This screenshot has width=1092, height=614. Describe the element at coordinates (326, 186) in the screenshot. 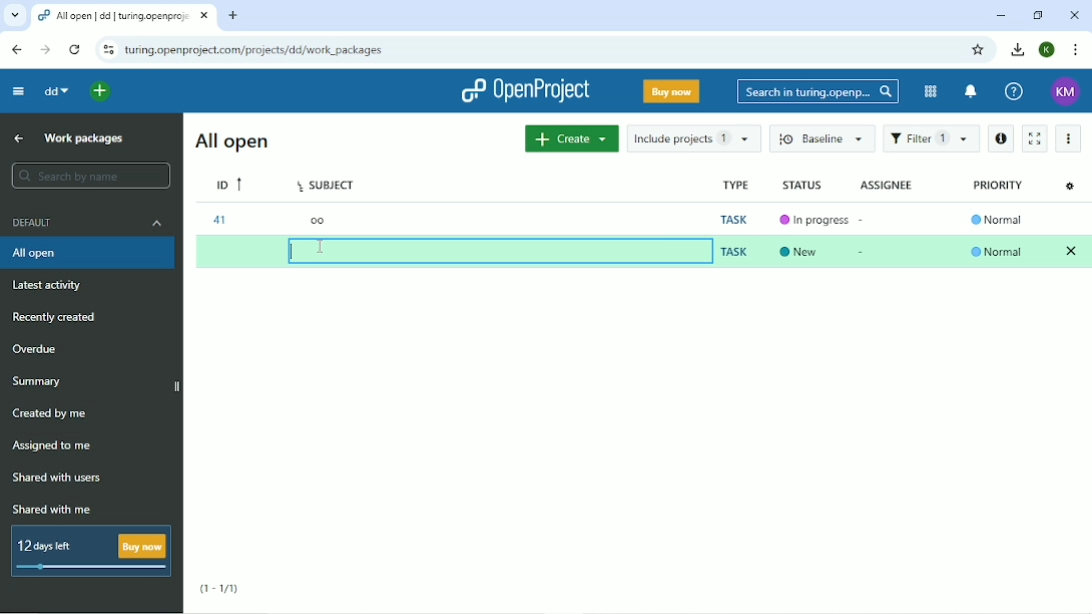

I see `Subject` at that location.